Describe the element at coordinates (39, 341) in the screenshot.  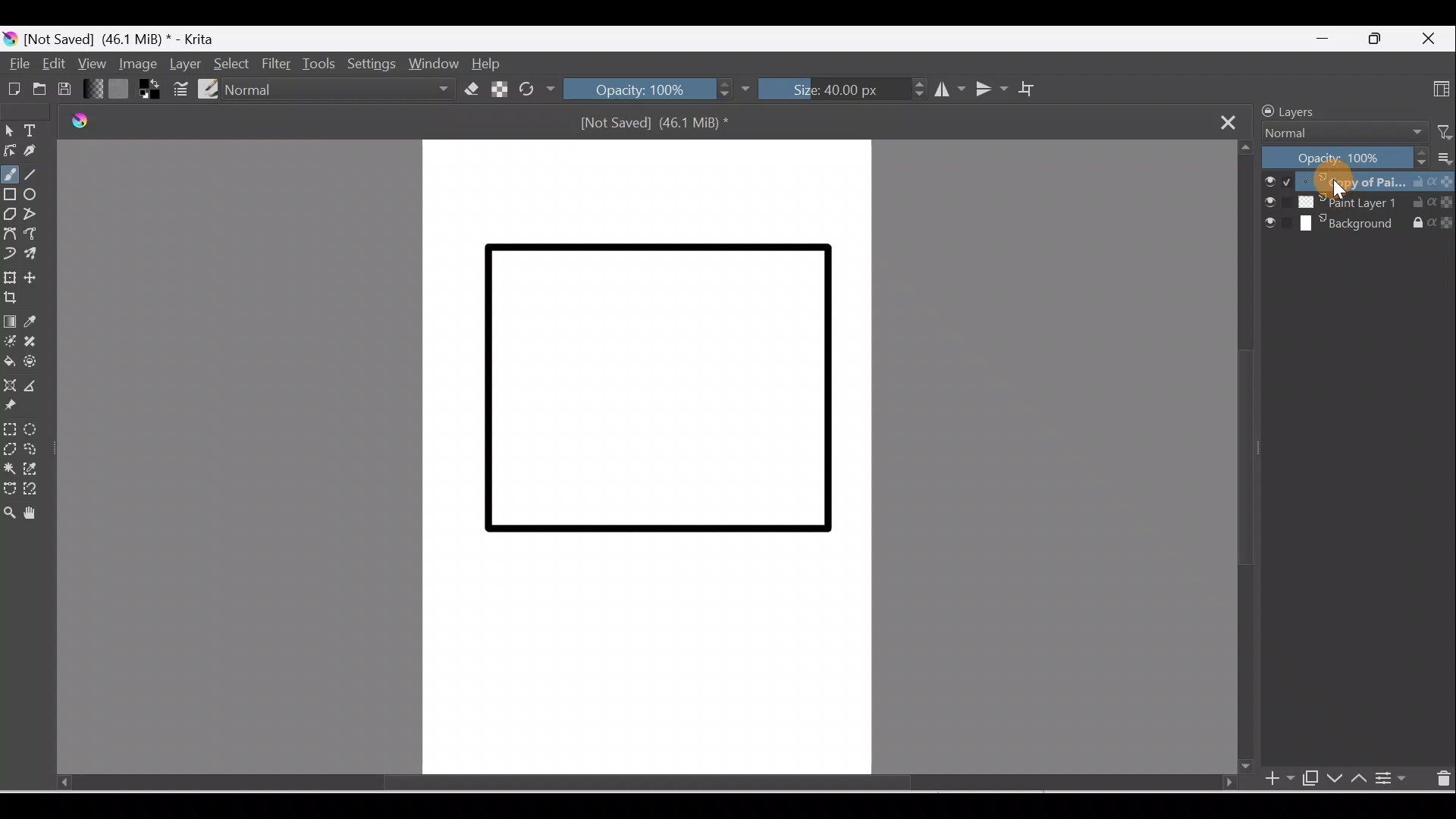
I see `Smart patch tool` at that location.